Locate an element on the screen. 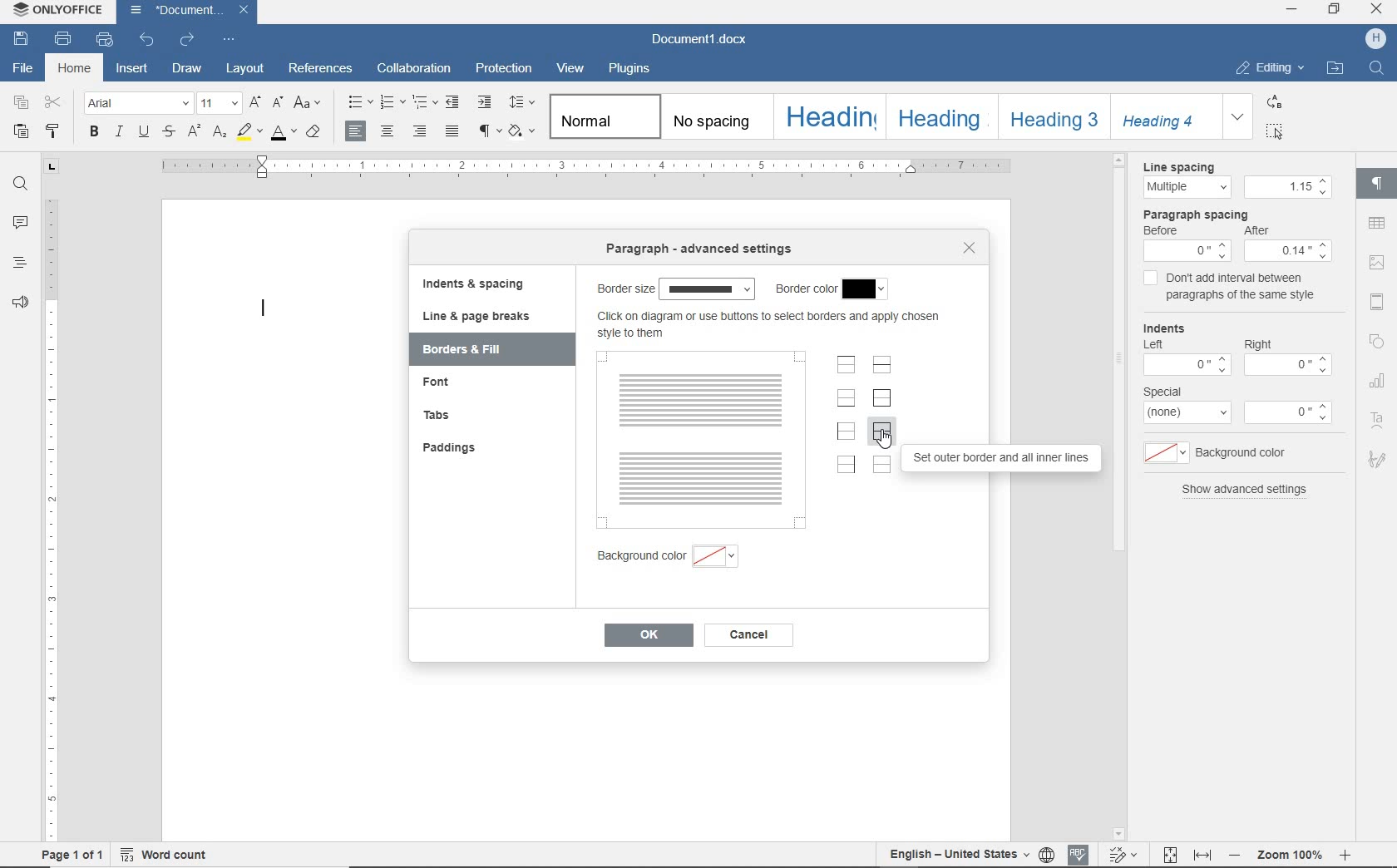 This screenshot has height=868, width=1397. indents & spacing is located at coordinates (474, 286).